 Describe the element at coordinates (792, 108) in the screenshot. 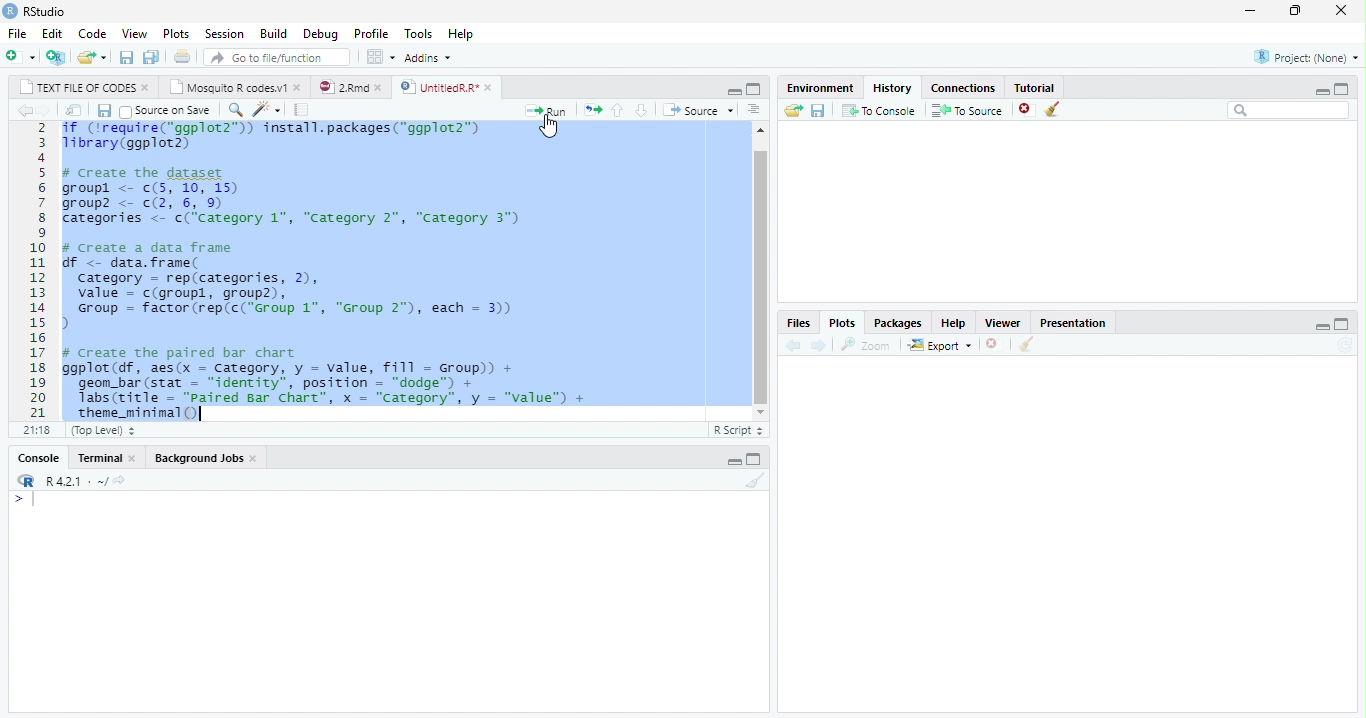

I see `load history` at that location.